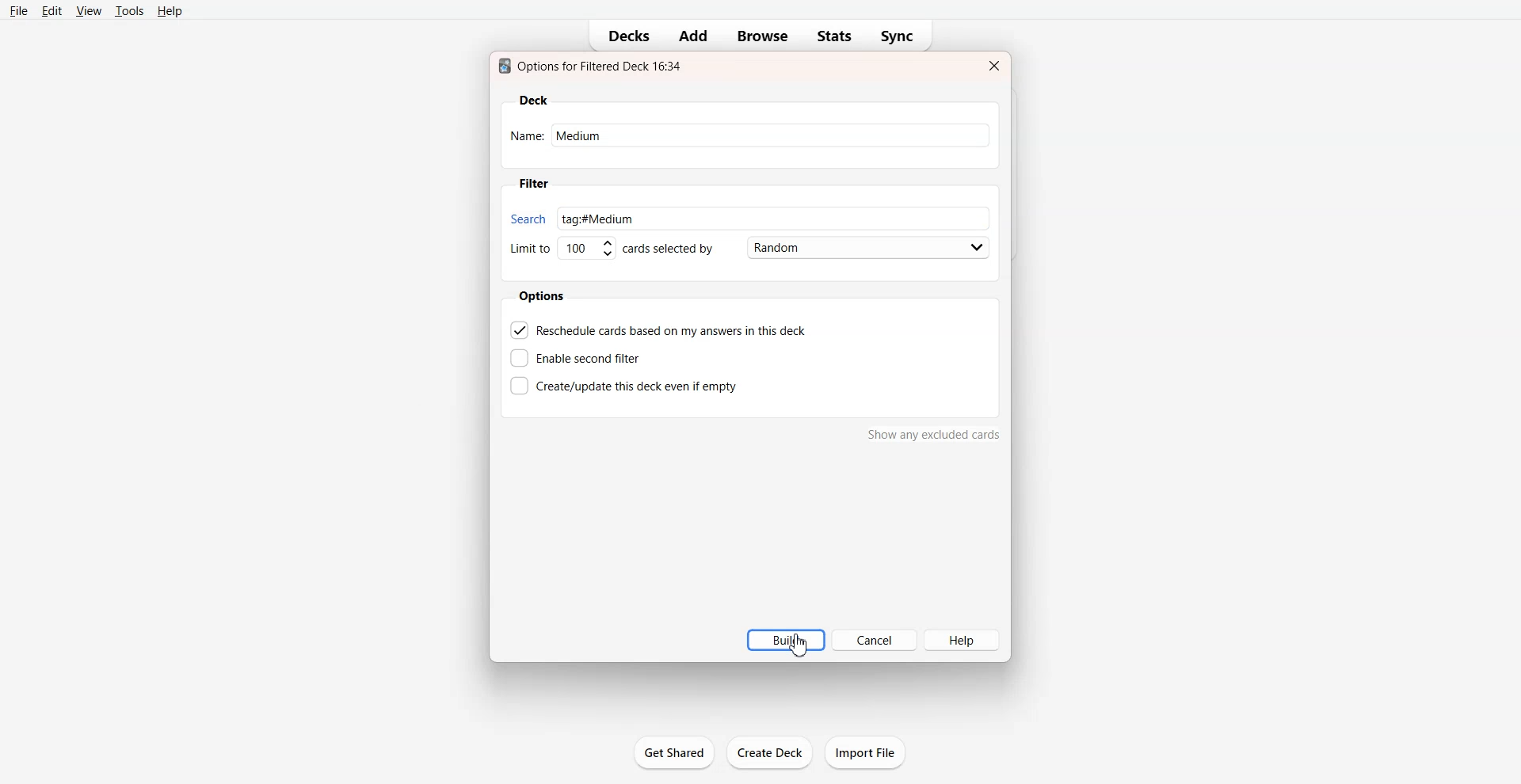 The image size is (1521, 784). What do you see at coordinates (902, 36) in the screenshot?
I see `Sync` at bounding box center [902, 36].